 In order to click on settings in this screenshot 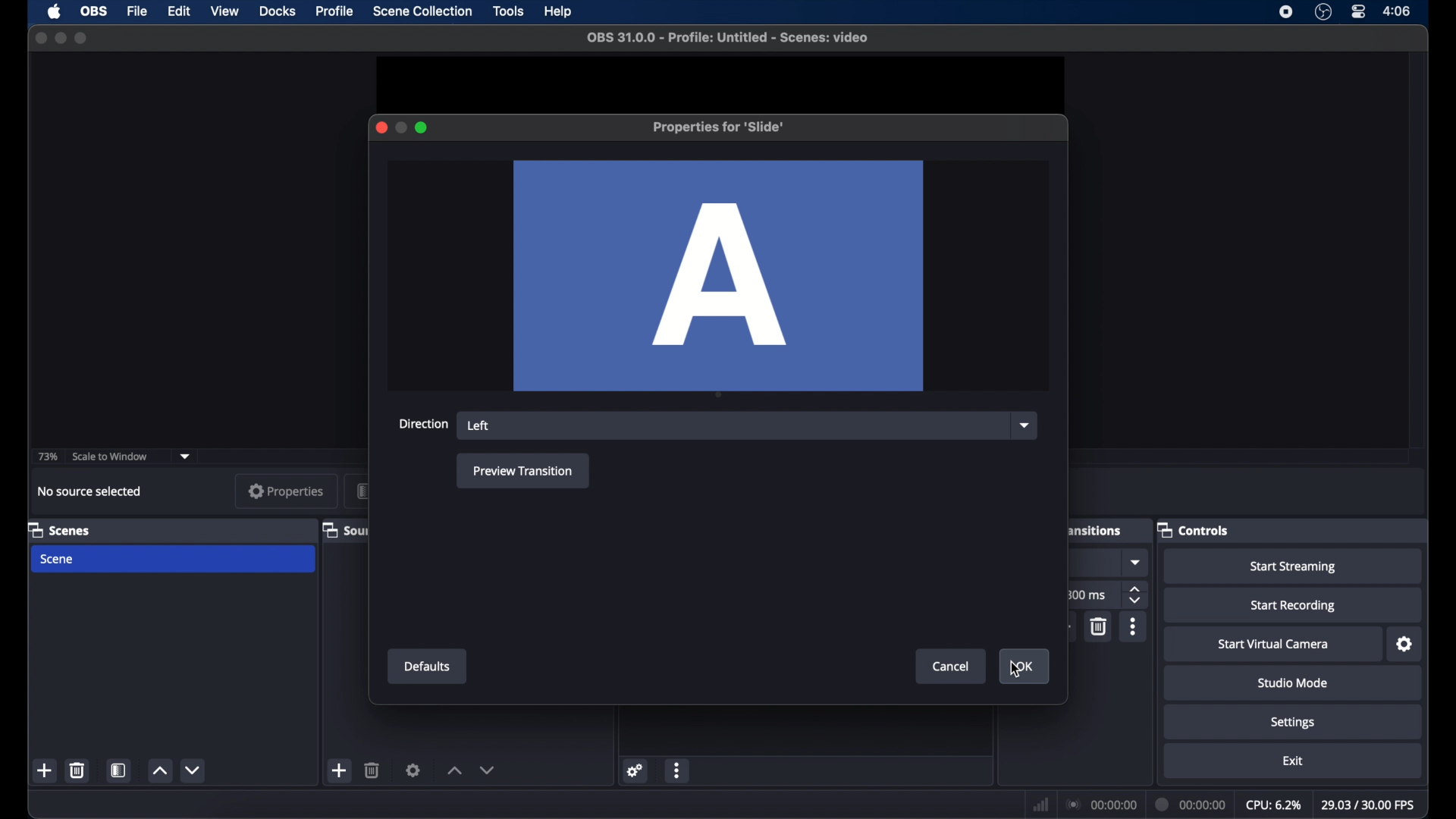, I will do `click(1405, 645)`.